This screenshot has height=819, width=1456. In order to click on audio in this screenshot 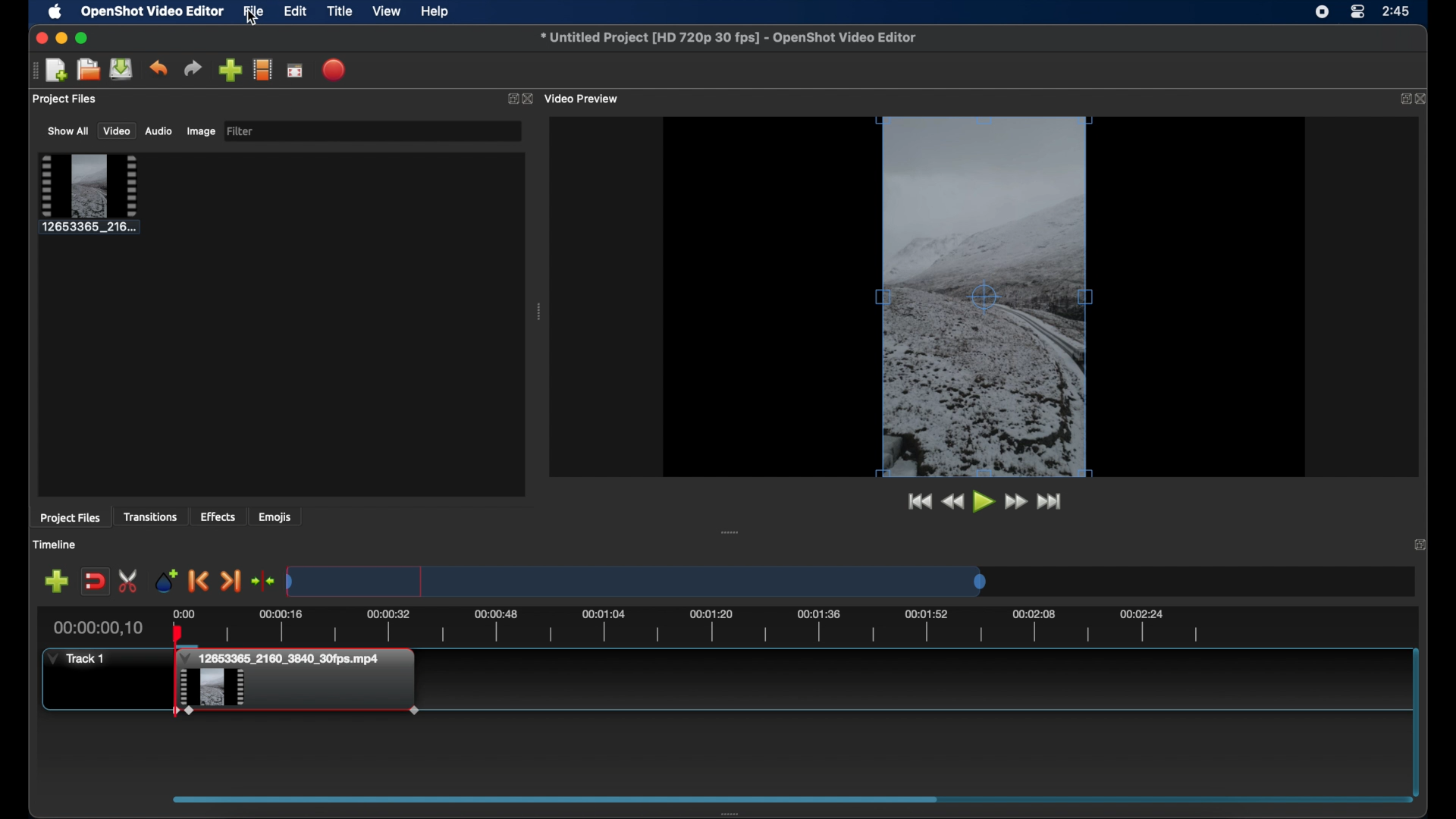, I will do `click(159, 132)`.